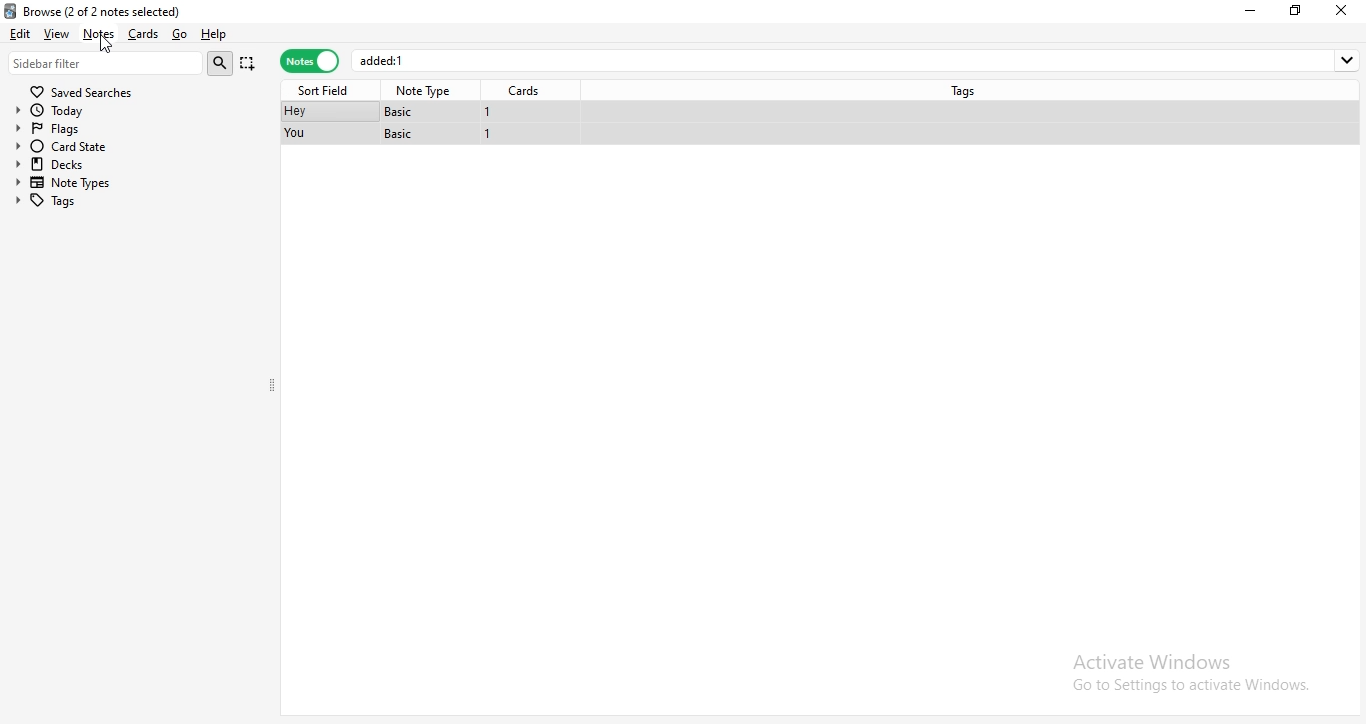 Image resolution: width=1366 pixels, height=724 pixels. What do you see at coordinates (1254, 10) in the screenshot?
I see `minimise` at bounding box center [1254, 10].